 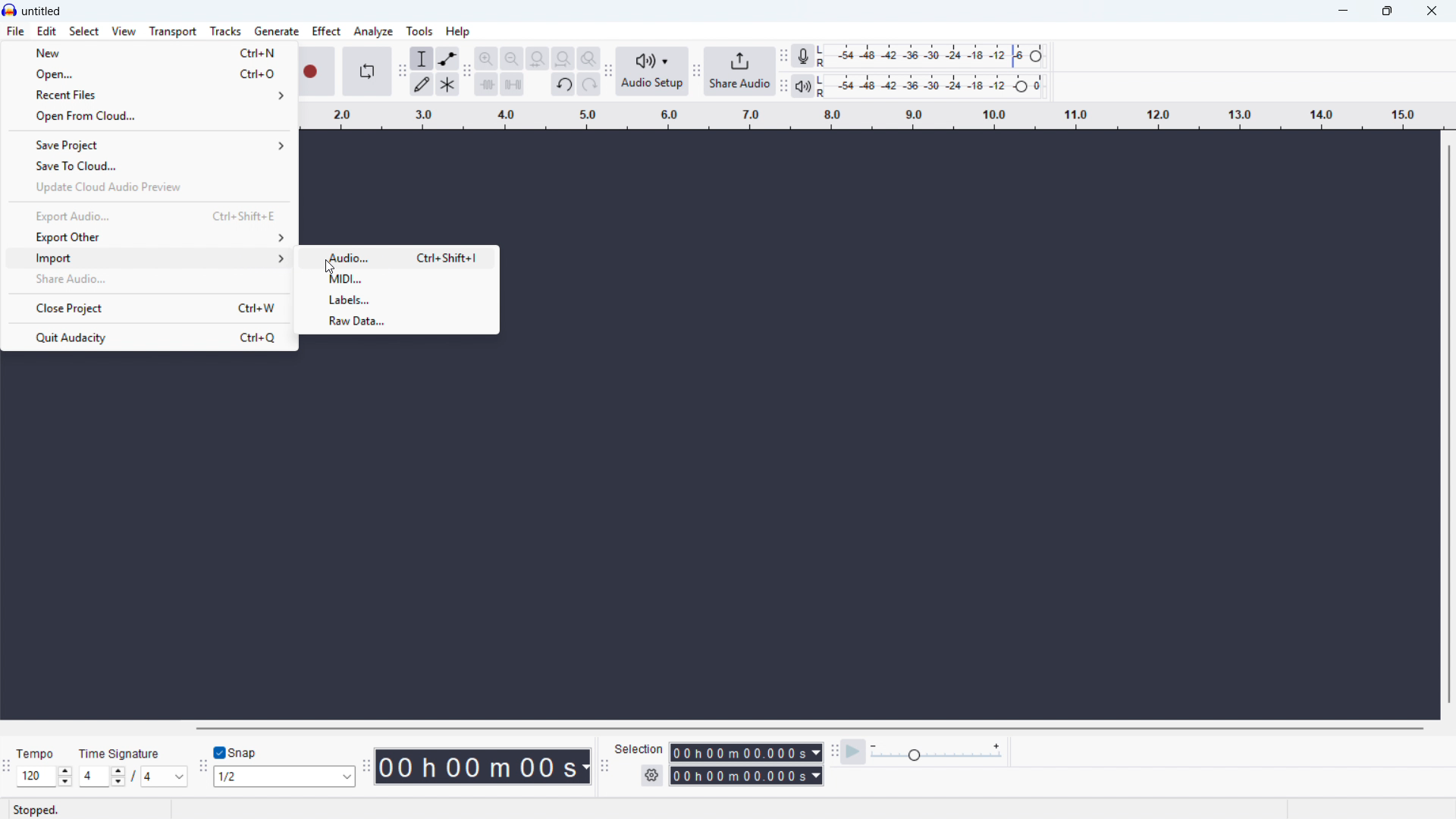 I want to click on Share audio toolbar , so click(x=695, y=73).